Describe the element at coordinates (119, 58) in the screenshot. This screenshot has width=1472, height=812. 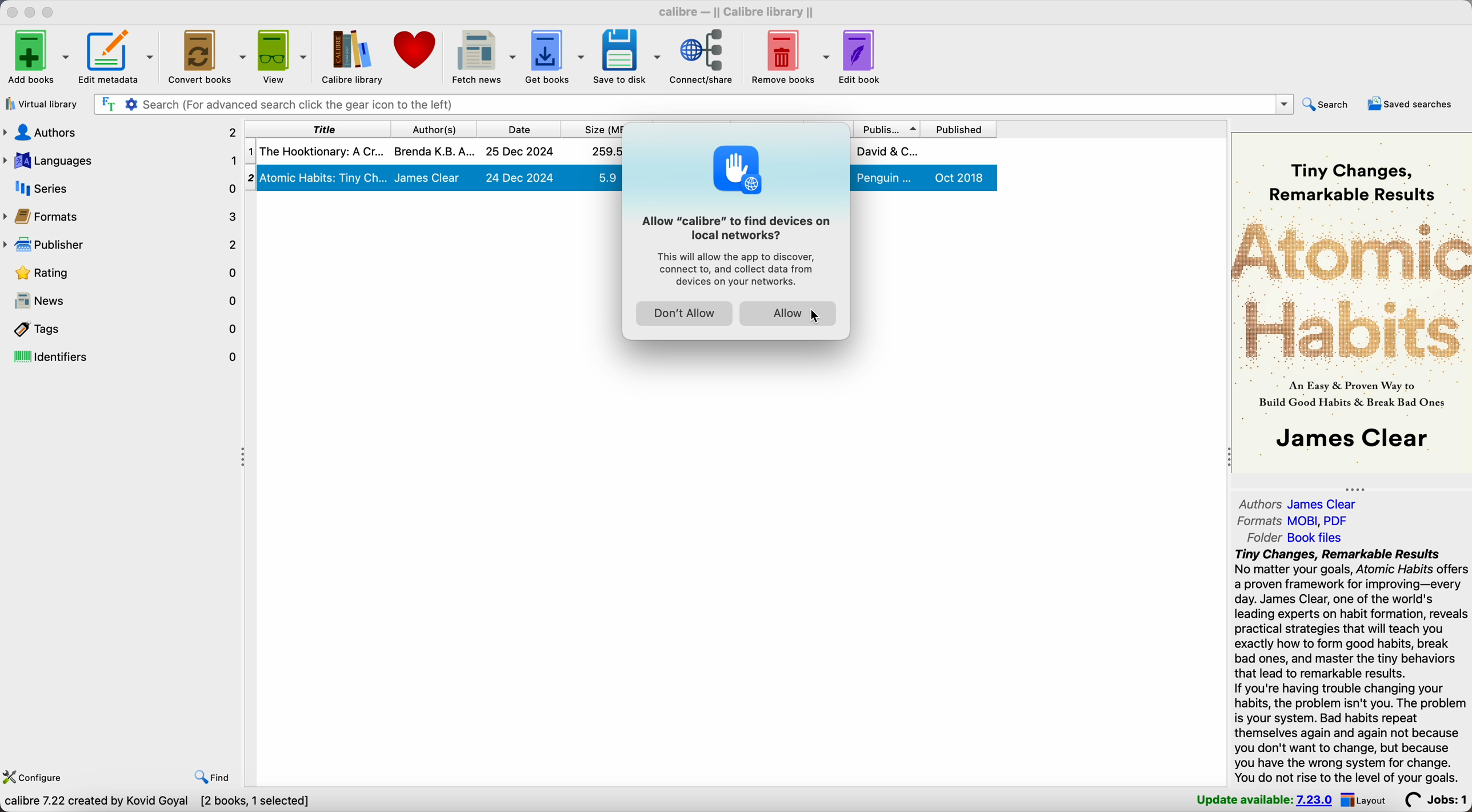
I see `edit metadata` at that location.